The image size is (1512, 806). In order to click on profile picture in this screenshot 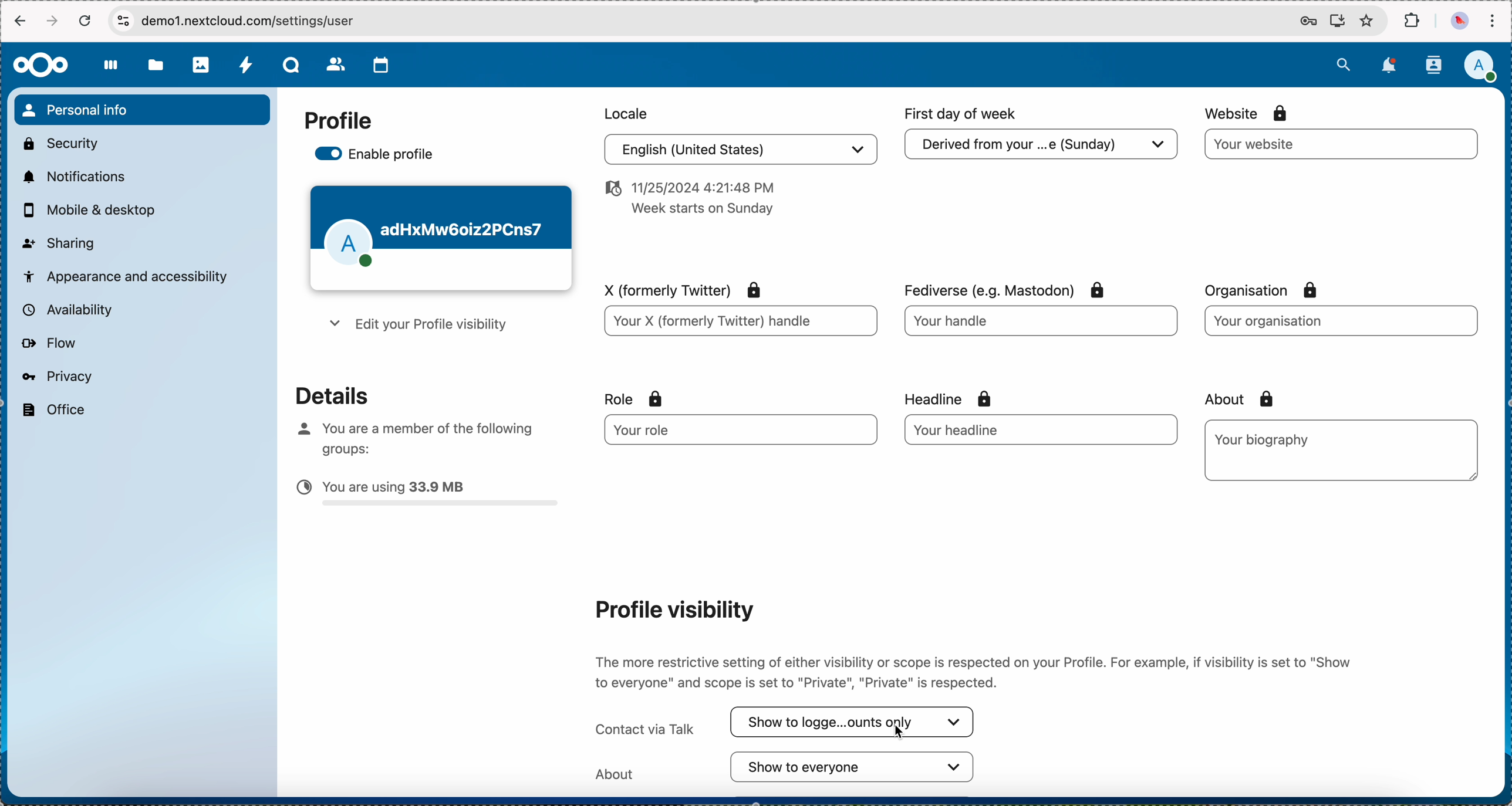, I will do `click(1458, 22)`.